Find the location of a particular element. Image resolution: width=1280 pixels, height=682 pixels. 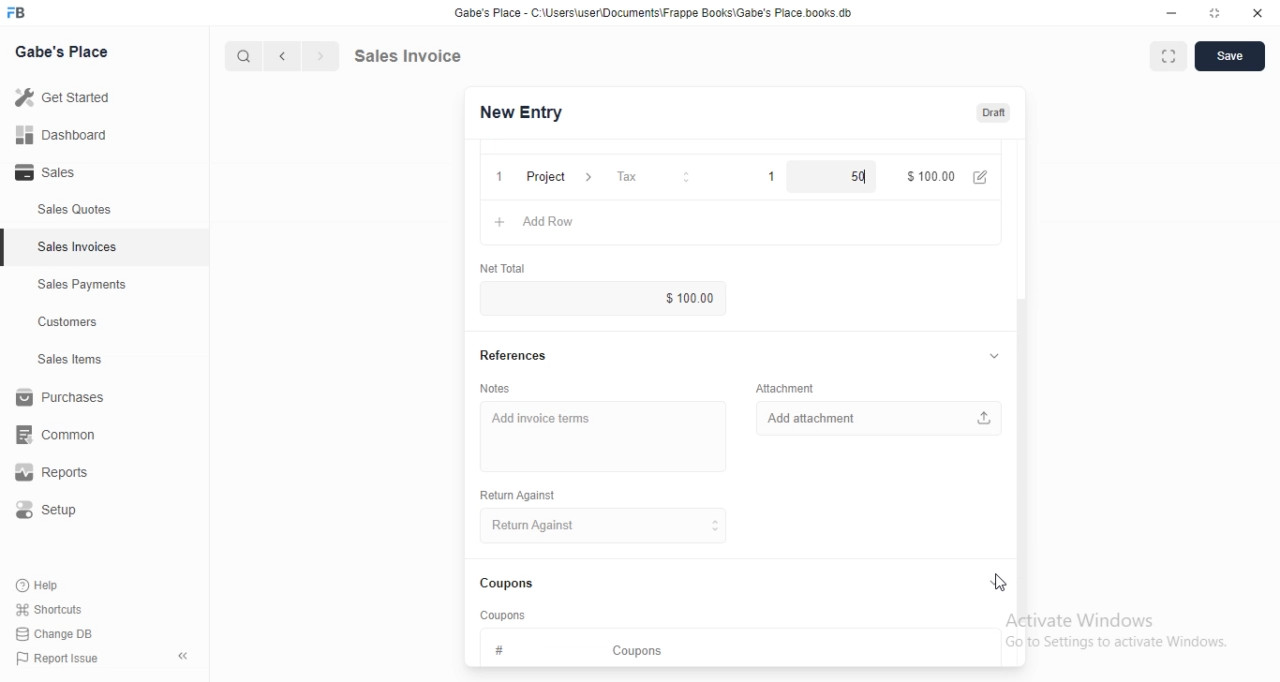

Sales Quotes is located at coordinates (64, 210).